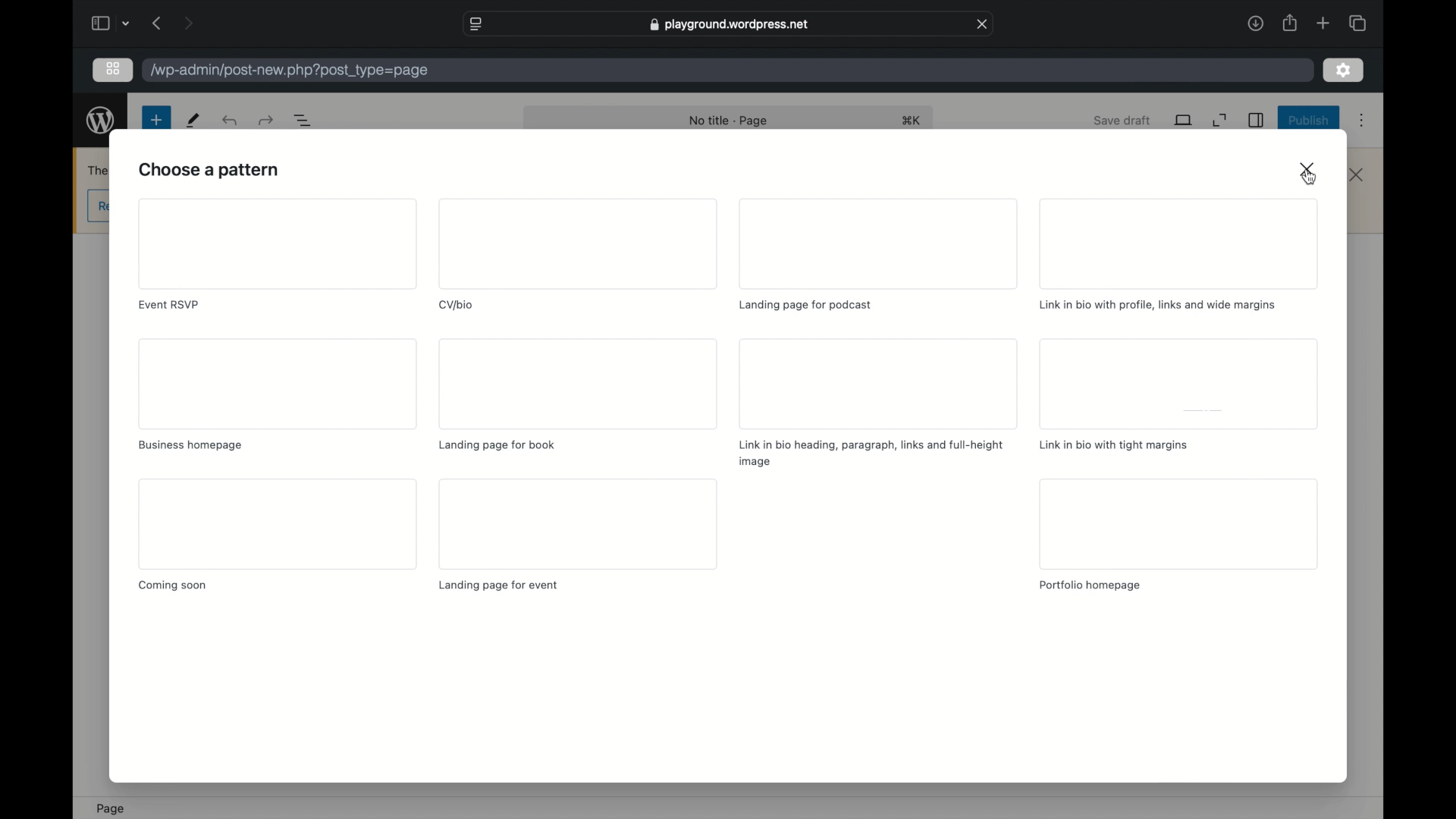  I want to click on close, so click(983, 23).